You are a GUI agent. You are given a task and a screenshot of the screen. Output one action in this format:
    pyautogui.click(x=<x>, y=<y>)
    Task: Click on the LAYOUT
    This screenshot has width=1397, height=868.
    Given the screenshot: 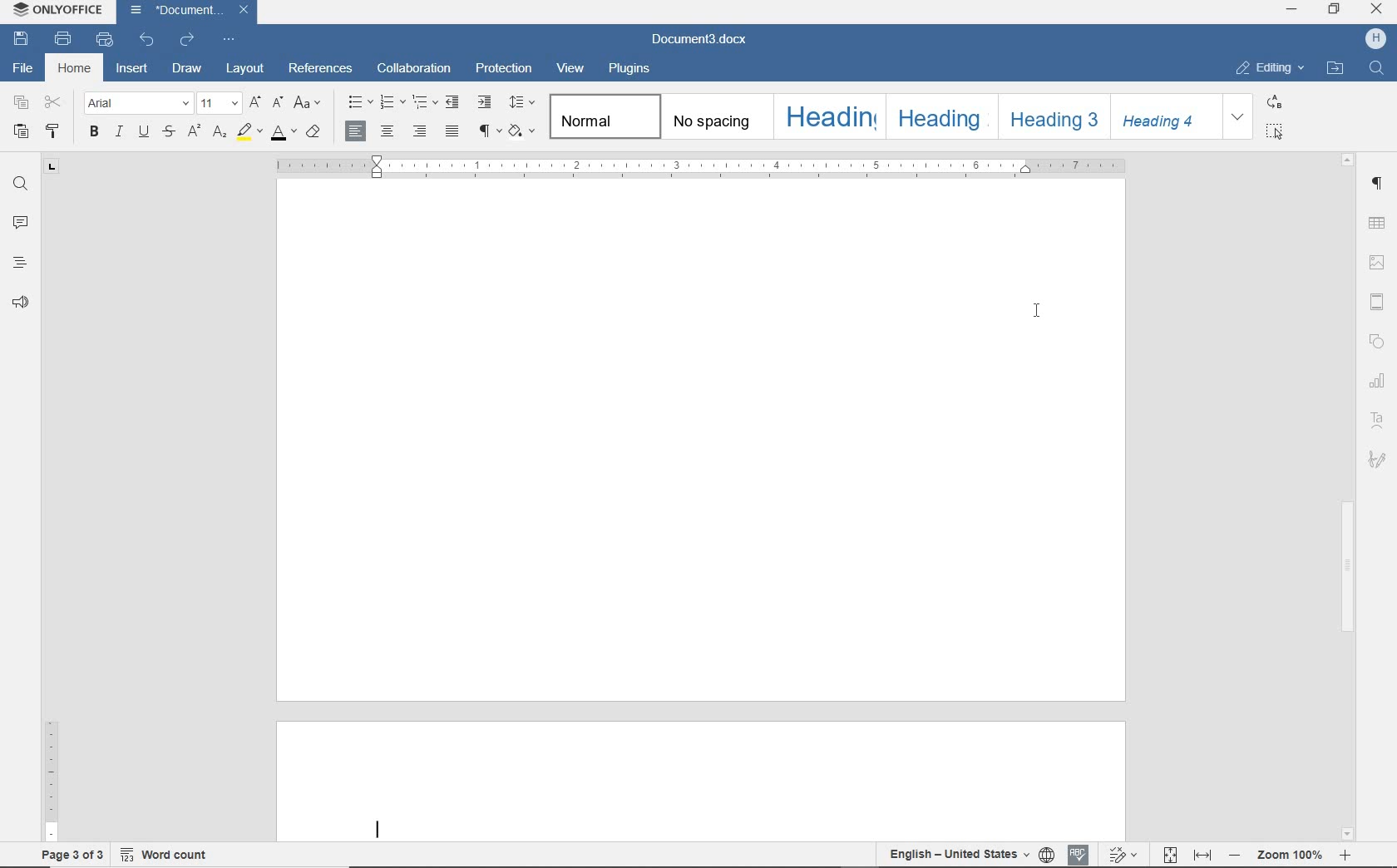 What is the action you would take?
    pyautogui.click(x=241, y=70)
    